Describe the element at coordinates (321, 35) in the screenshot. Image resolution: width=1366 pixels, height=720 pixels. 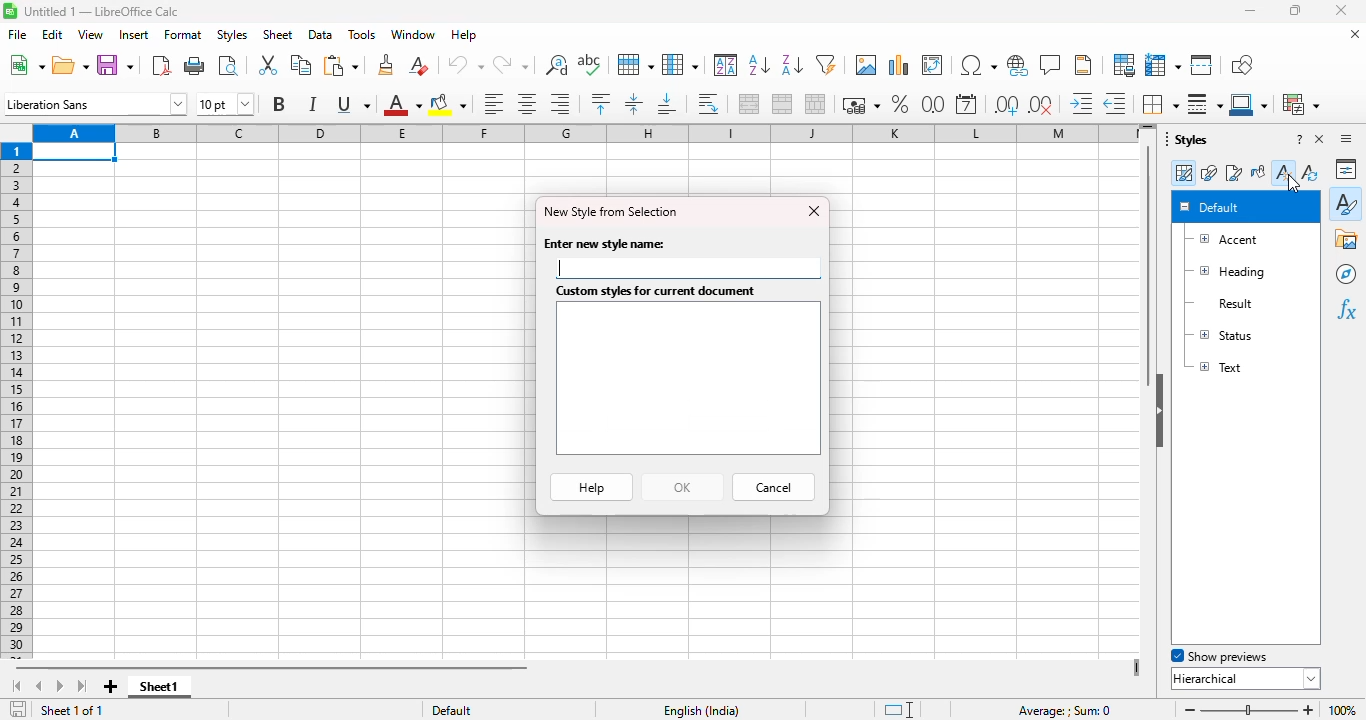
I see `data` at that location.